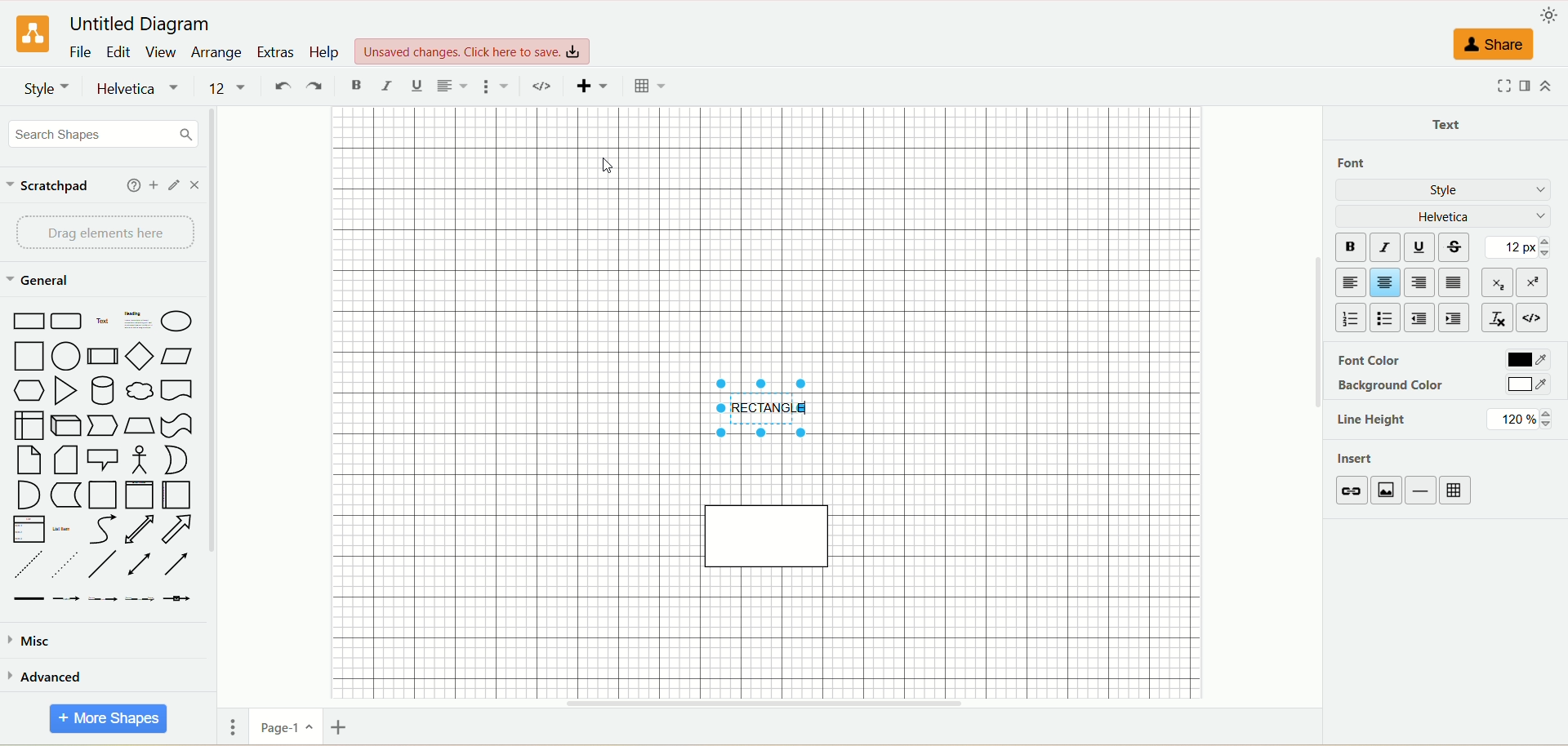 Image resolution: width=1568 pixels, height=746 pixels. What do you see at coordinates (105, 495) in the screenshot?
I see `container` at bounding box center [105, 495].